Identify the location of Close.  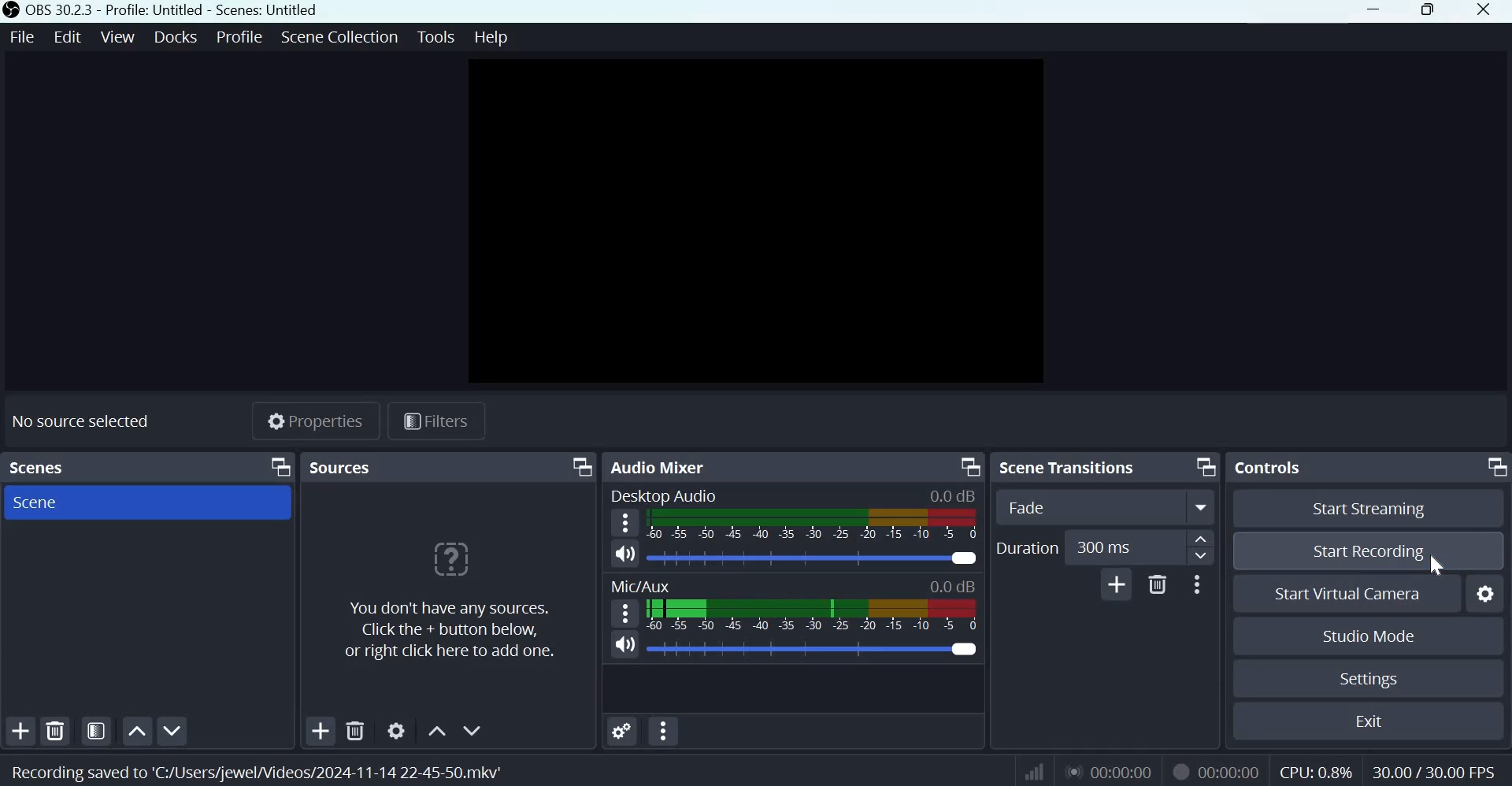
(1488, 13).